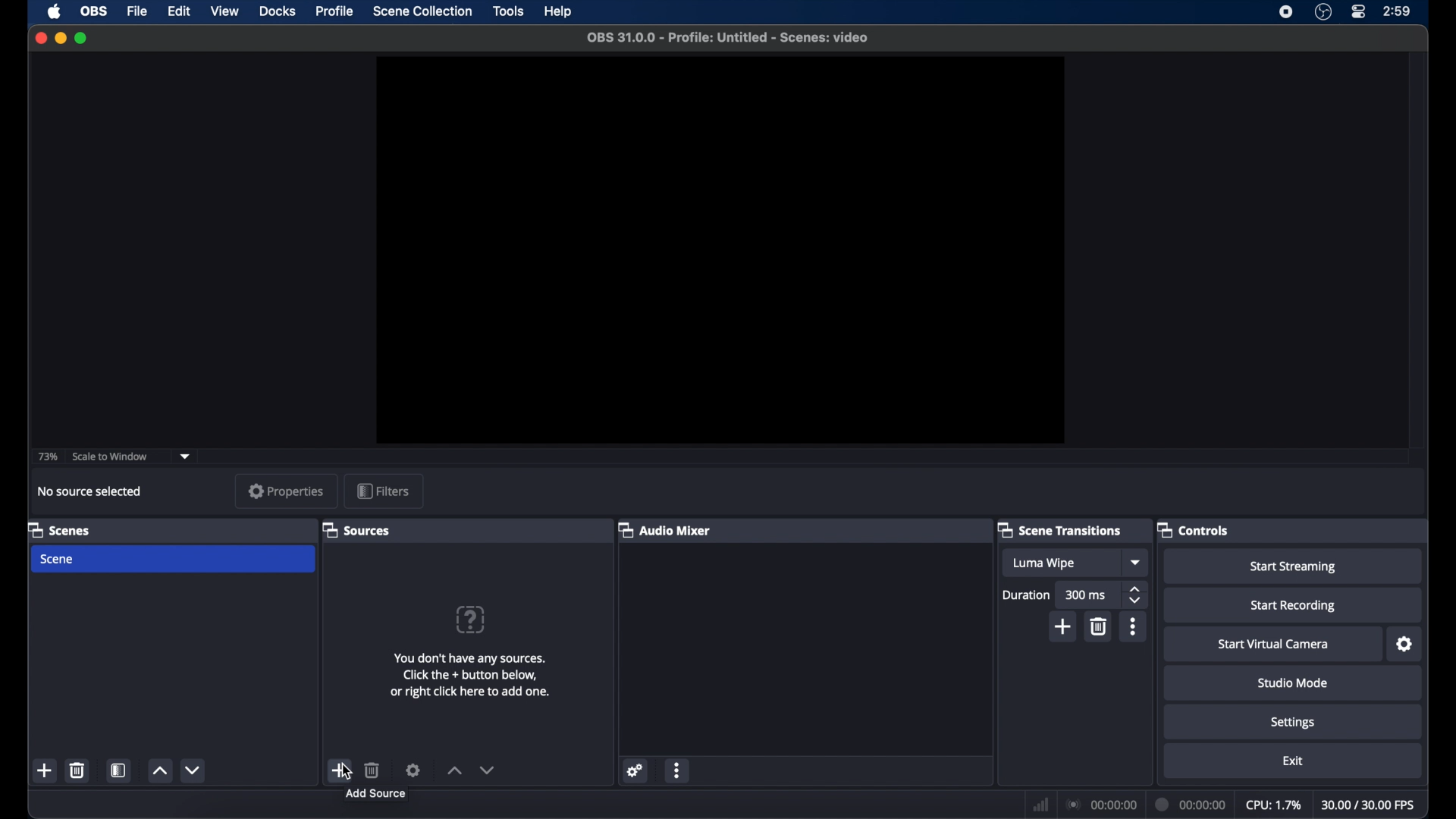 The width and height of the screenshot is (1456, 819). I want to click on info, so click(472, 675).